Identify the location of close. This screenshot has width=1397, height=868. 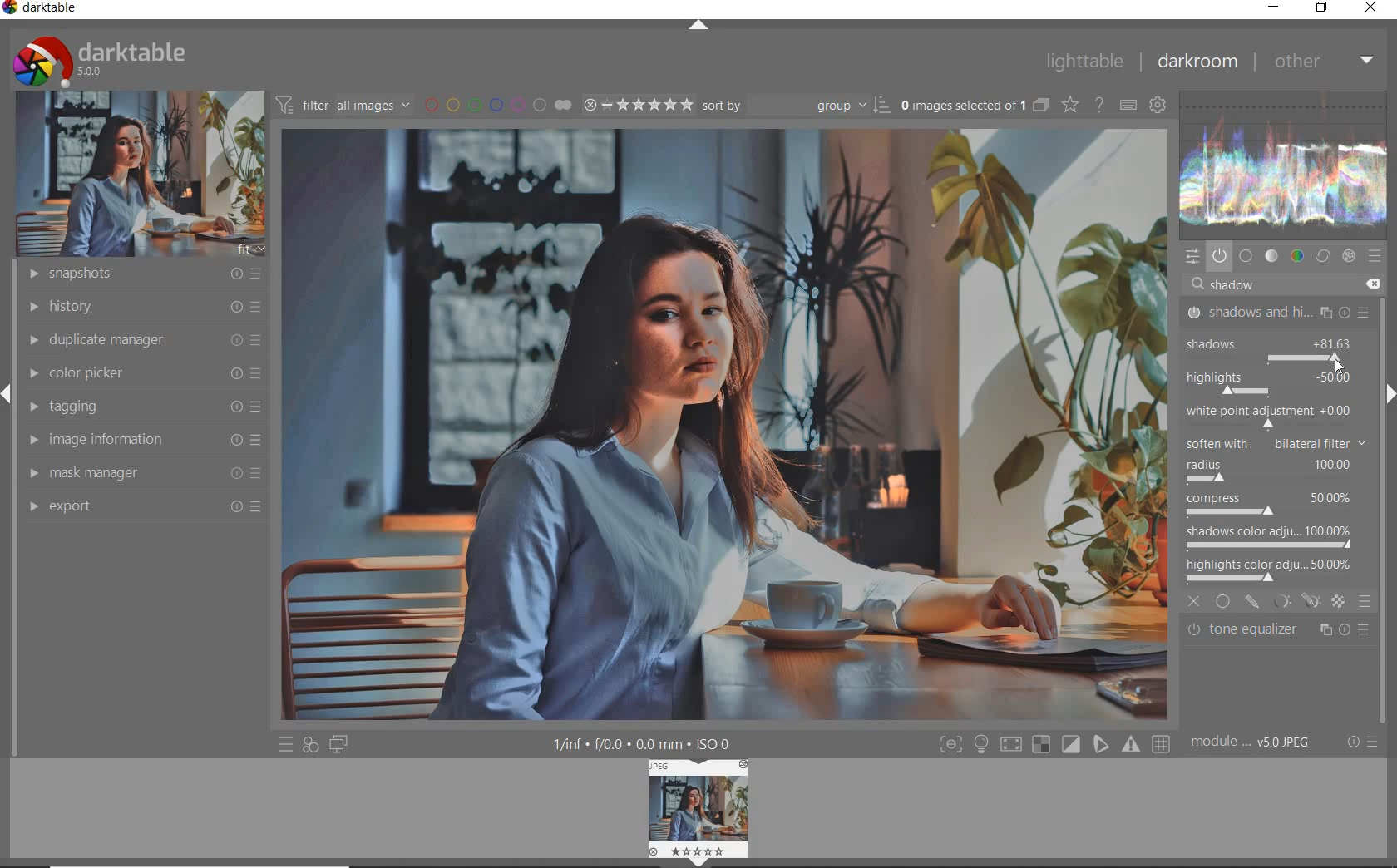
(1194, 599).